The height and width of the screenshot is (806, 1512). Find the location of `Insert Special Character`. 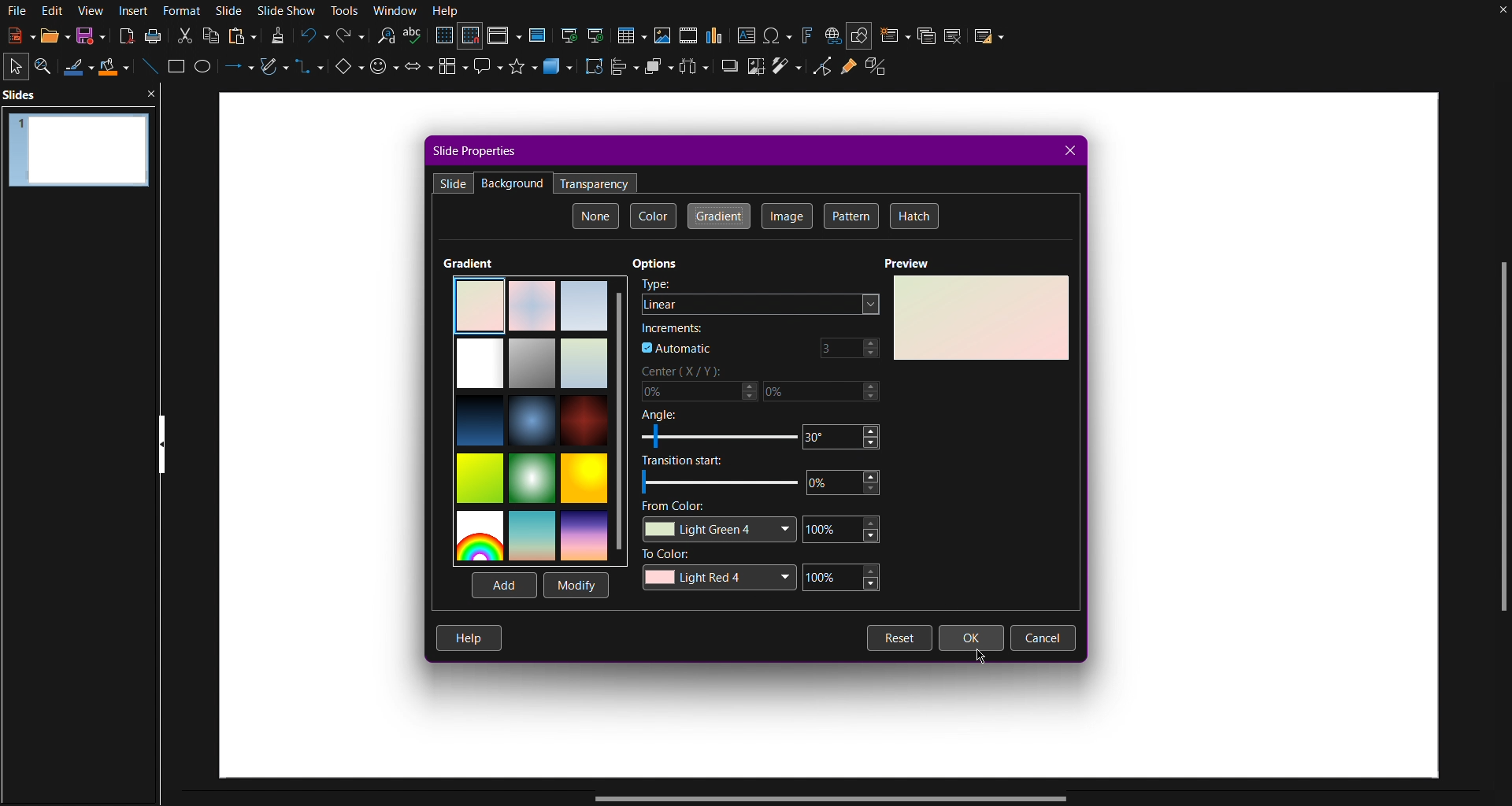

Insert Special Character is located at coordinates (779, 35).